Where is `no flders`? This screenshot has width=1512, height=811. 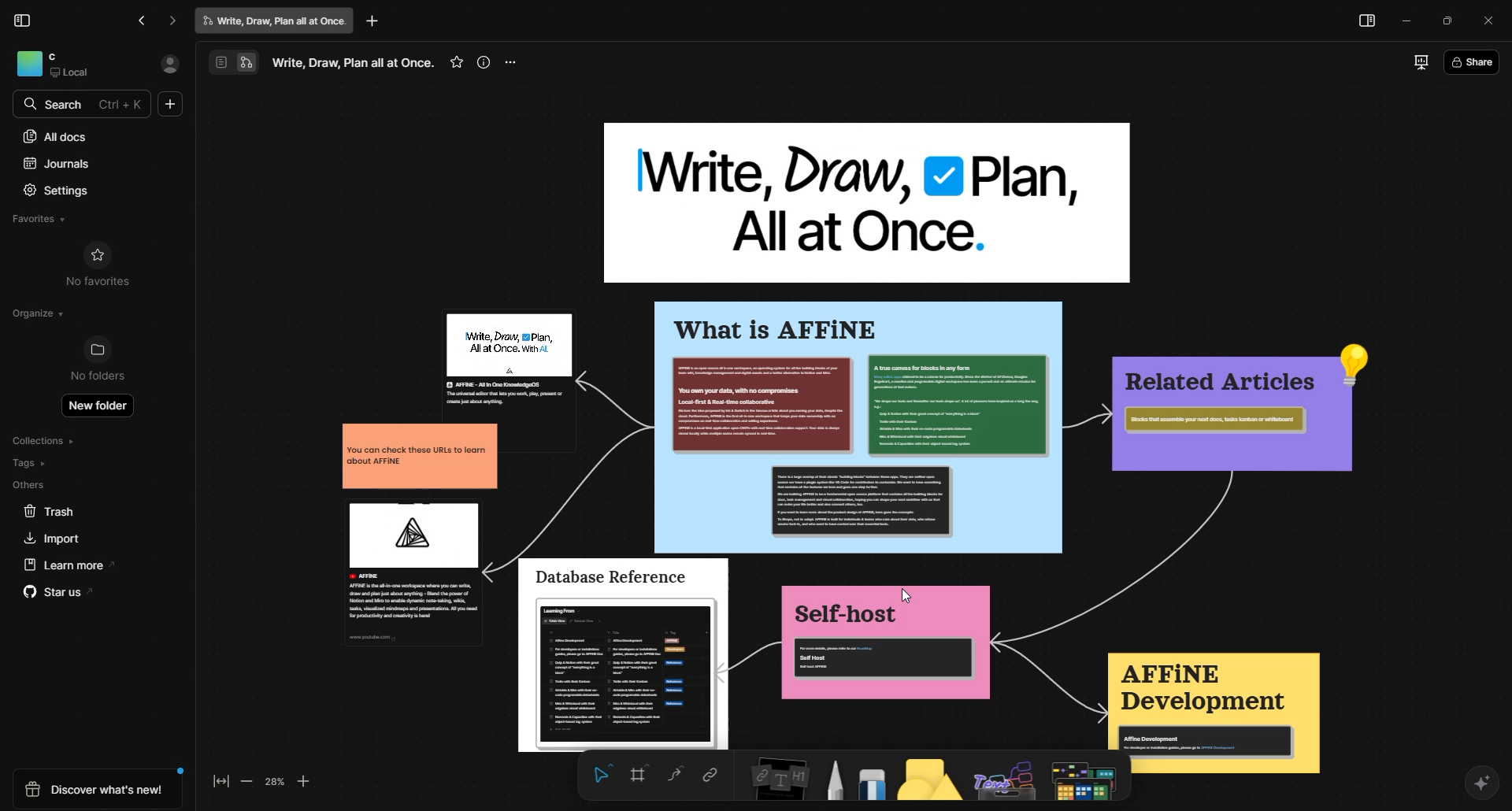
no flders is located at coordinates (107, 361).